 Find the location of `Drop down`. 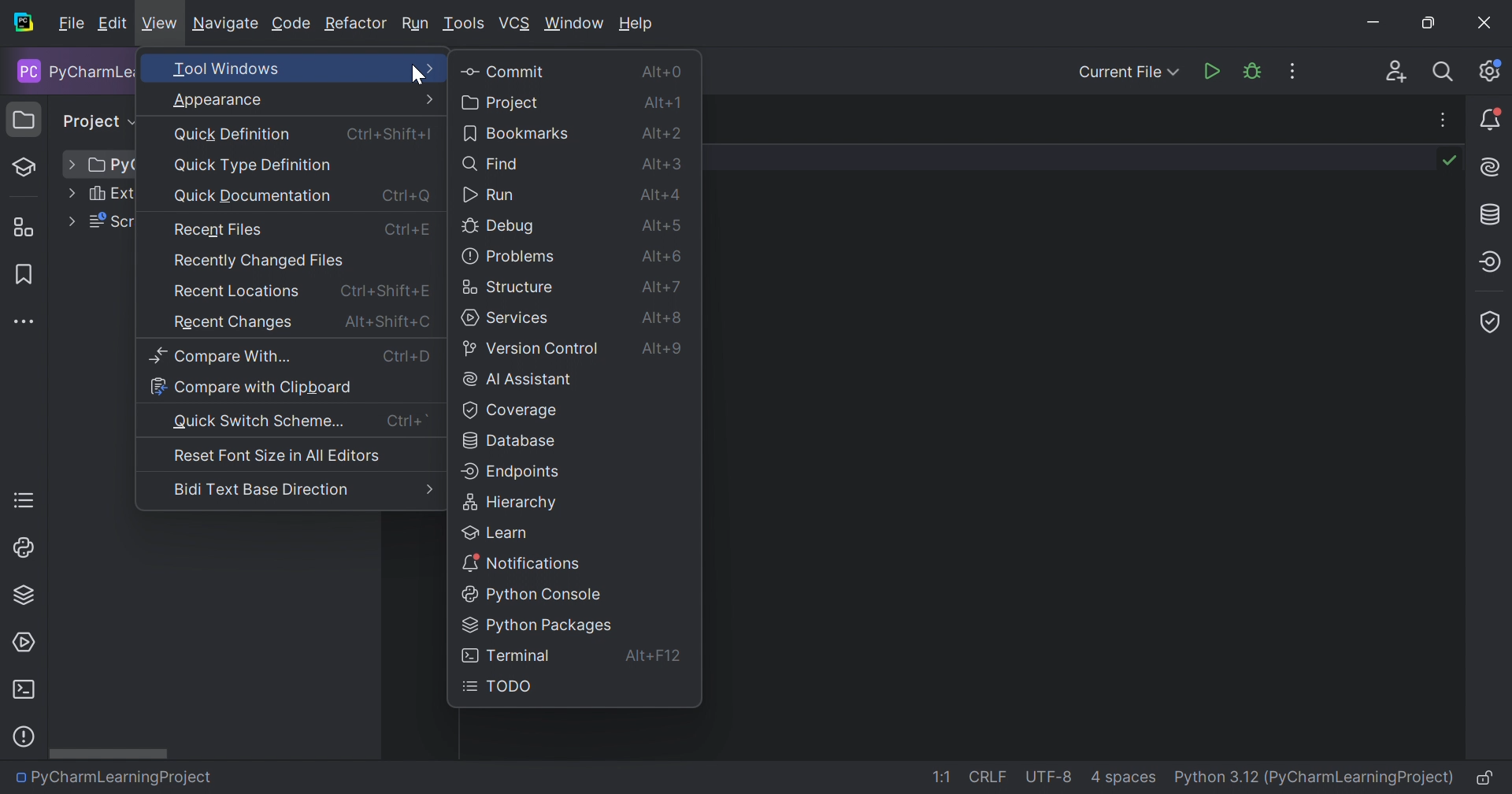

Drop down is located at coordinates (69, 220).